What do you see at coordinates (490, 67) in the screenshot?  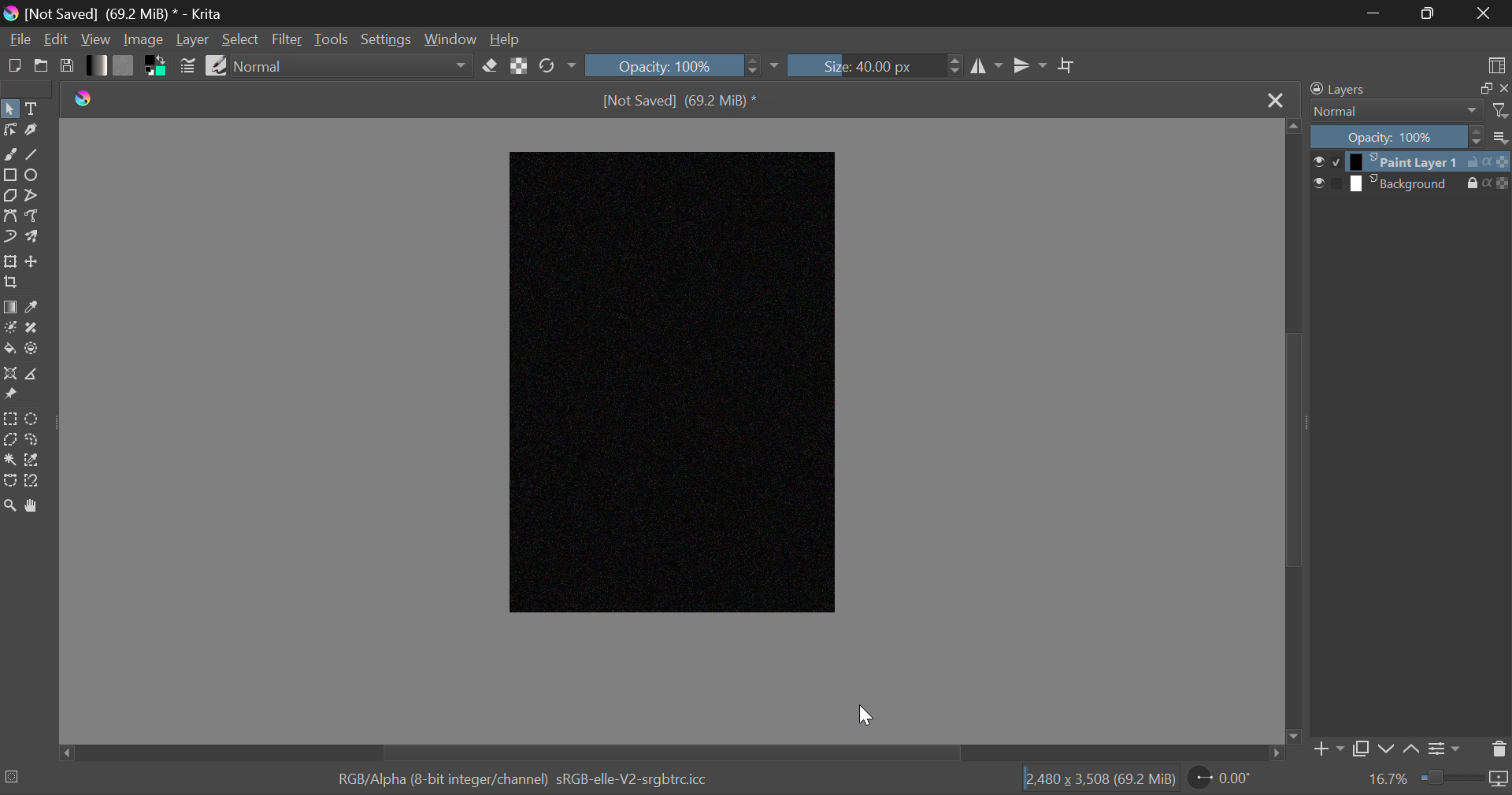 I see `Eraser` at bounding box center [490, 67].